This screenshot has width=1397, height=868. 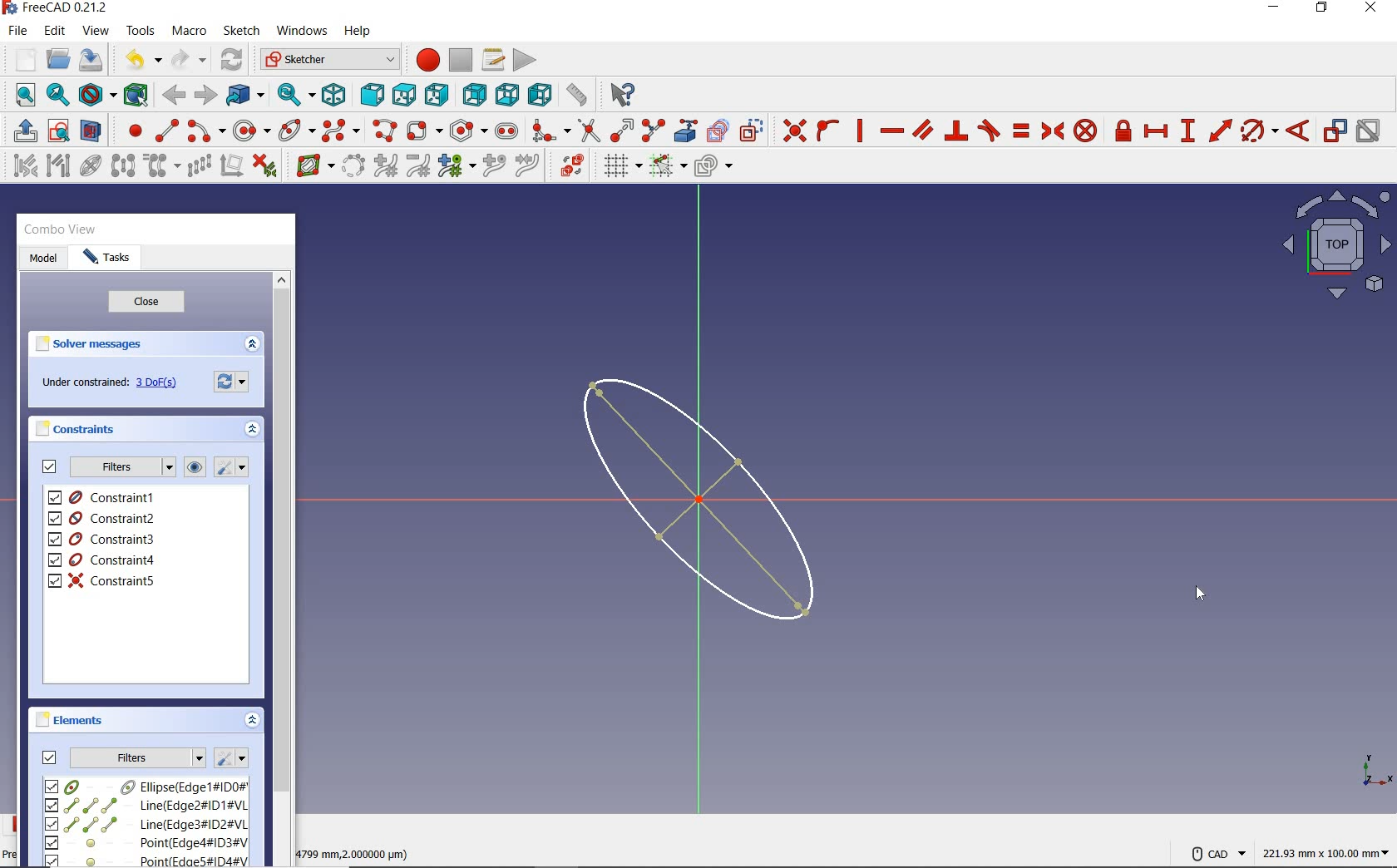 I want to click on toggle driving/ reference constraint, so click(x=1335, y=130).